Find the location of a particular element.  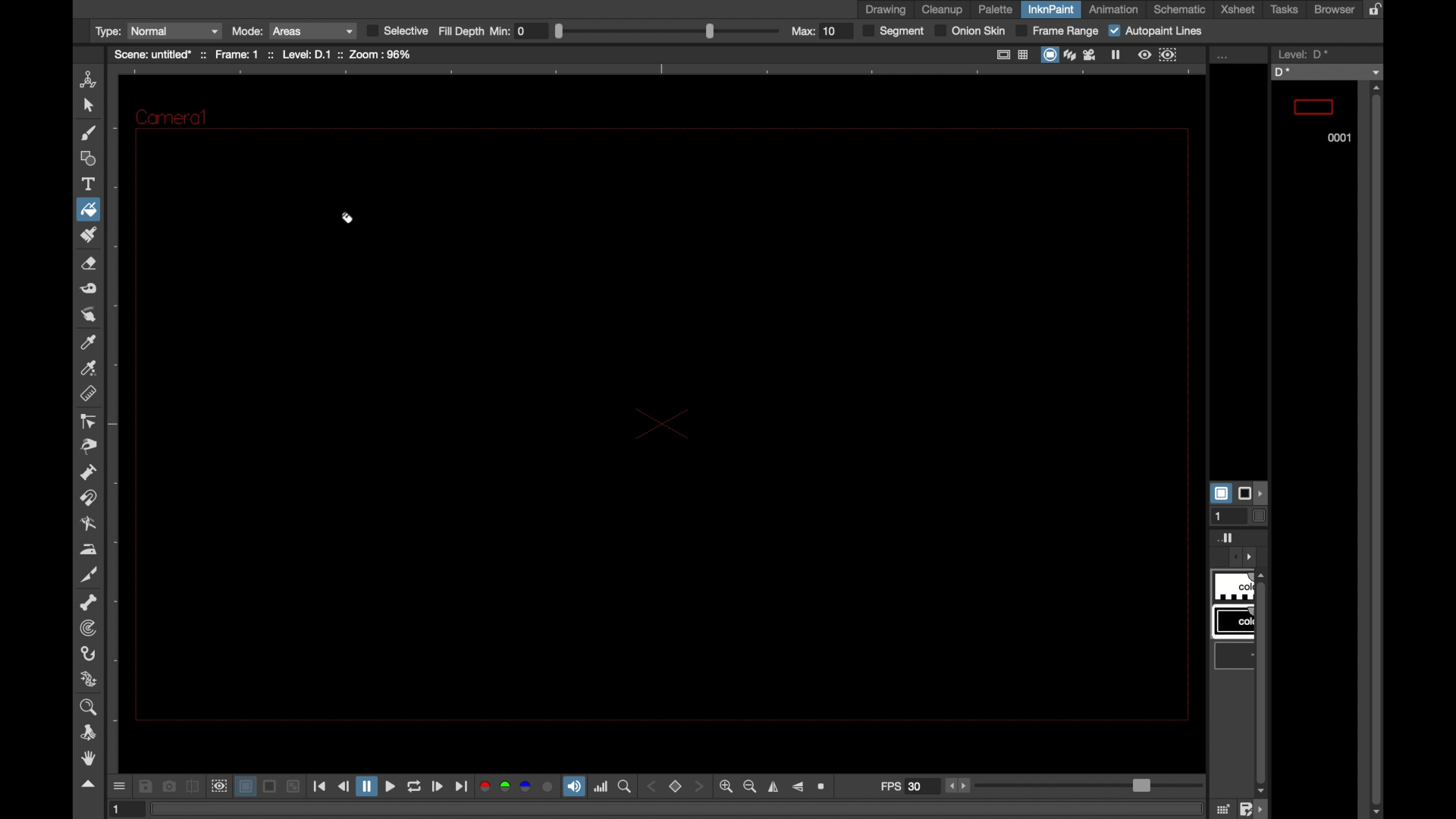

Segment is located at coordinates (896, 32).